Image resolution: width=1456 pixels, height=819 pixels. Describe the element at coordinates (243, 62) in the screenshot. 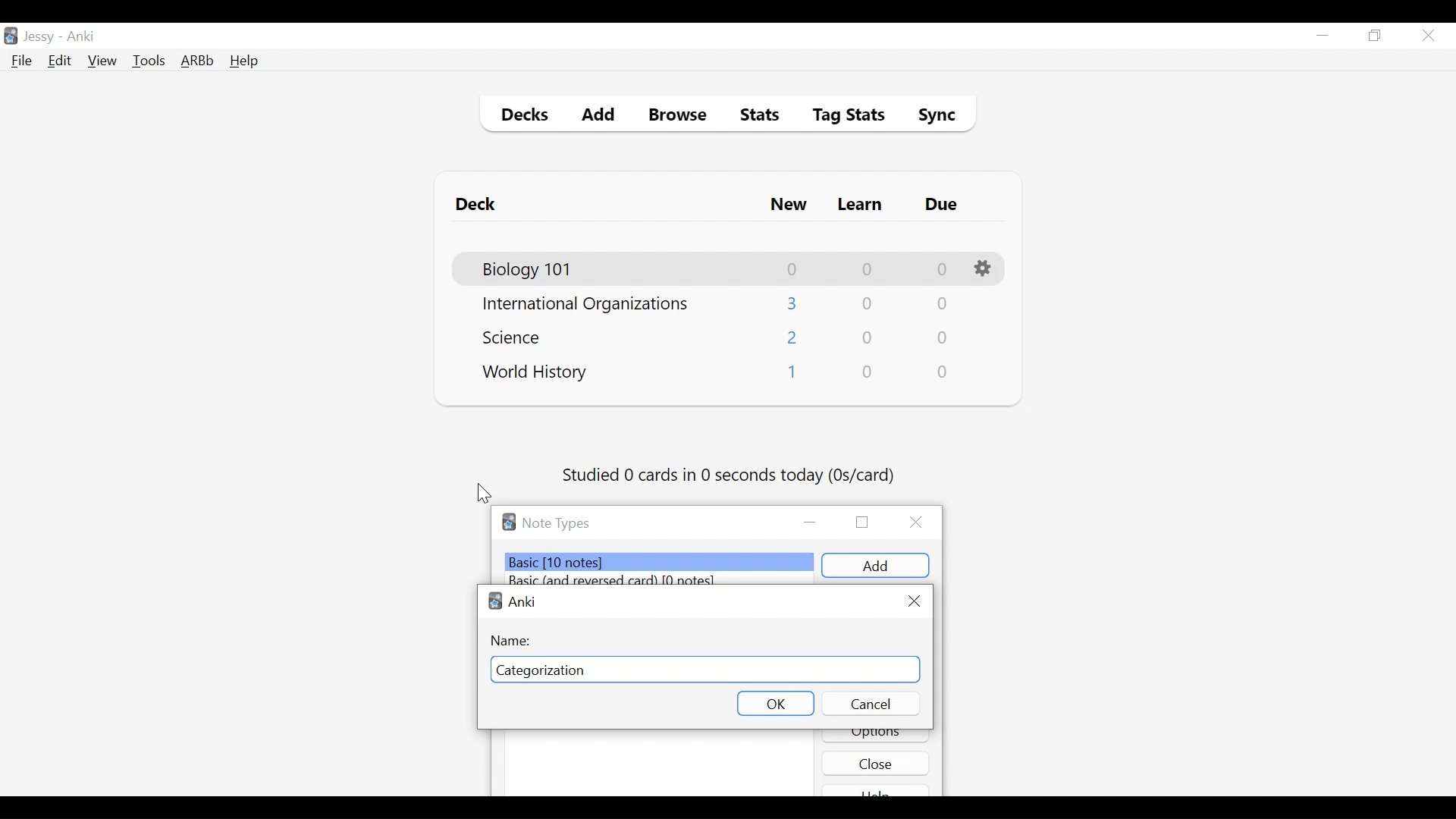

I see `Help` at that location.